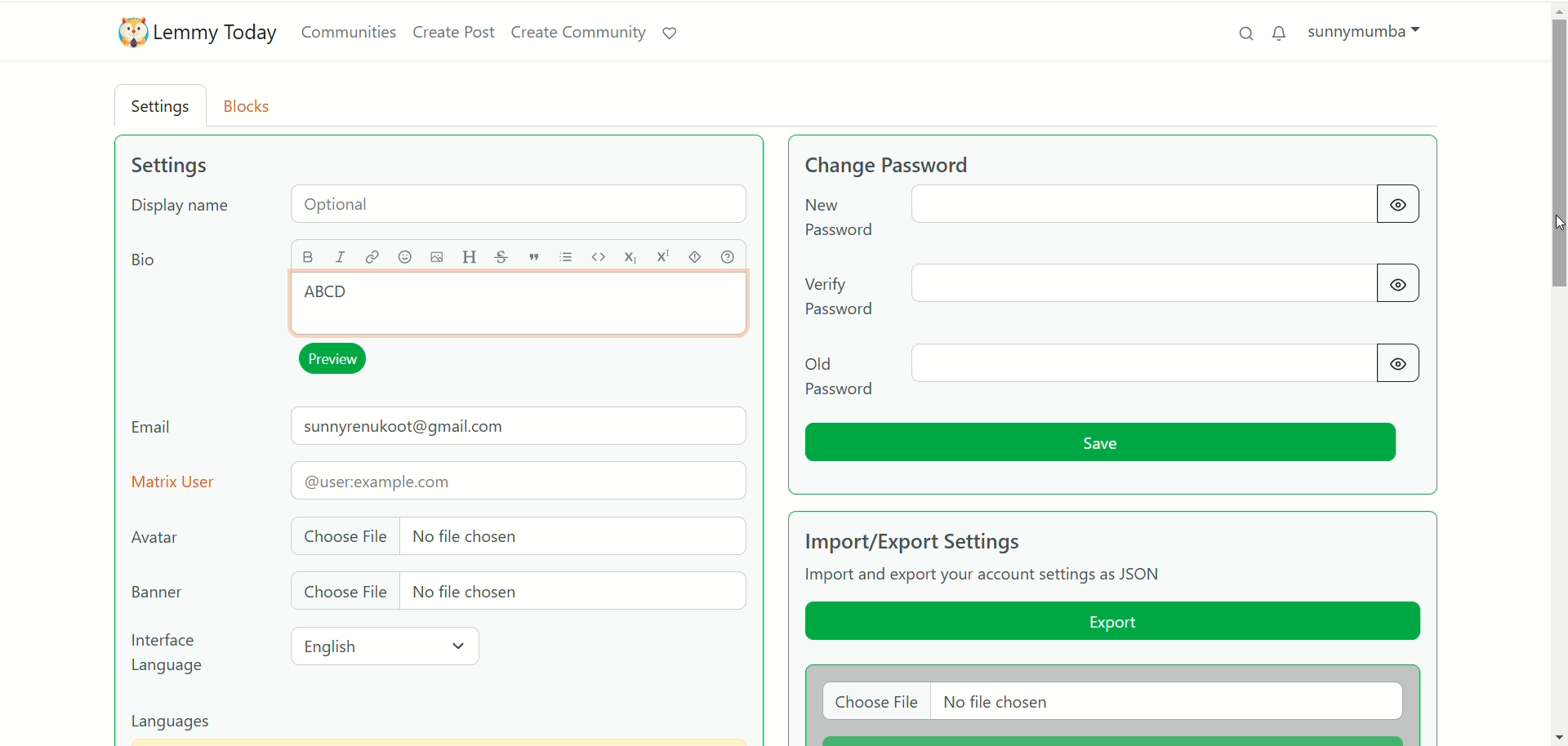  I want to click on interface language, so click(170, 654).